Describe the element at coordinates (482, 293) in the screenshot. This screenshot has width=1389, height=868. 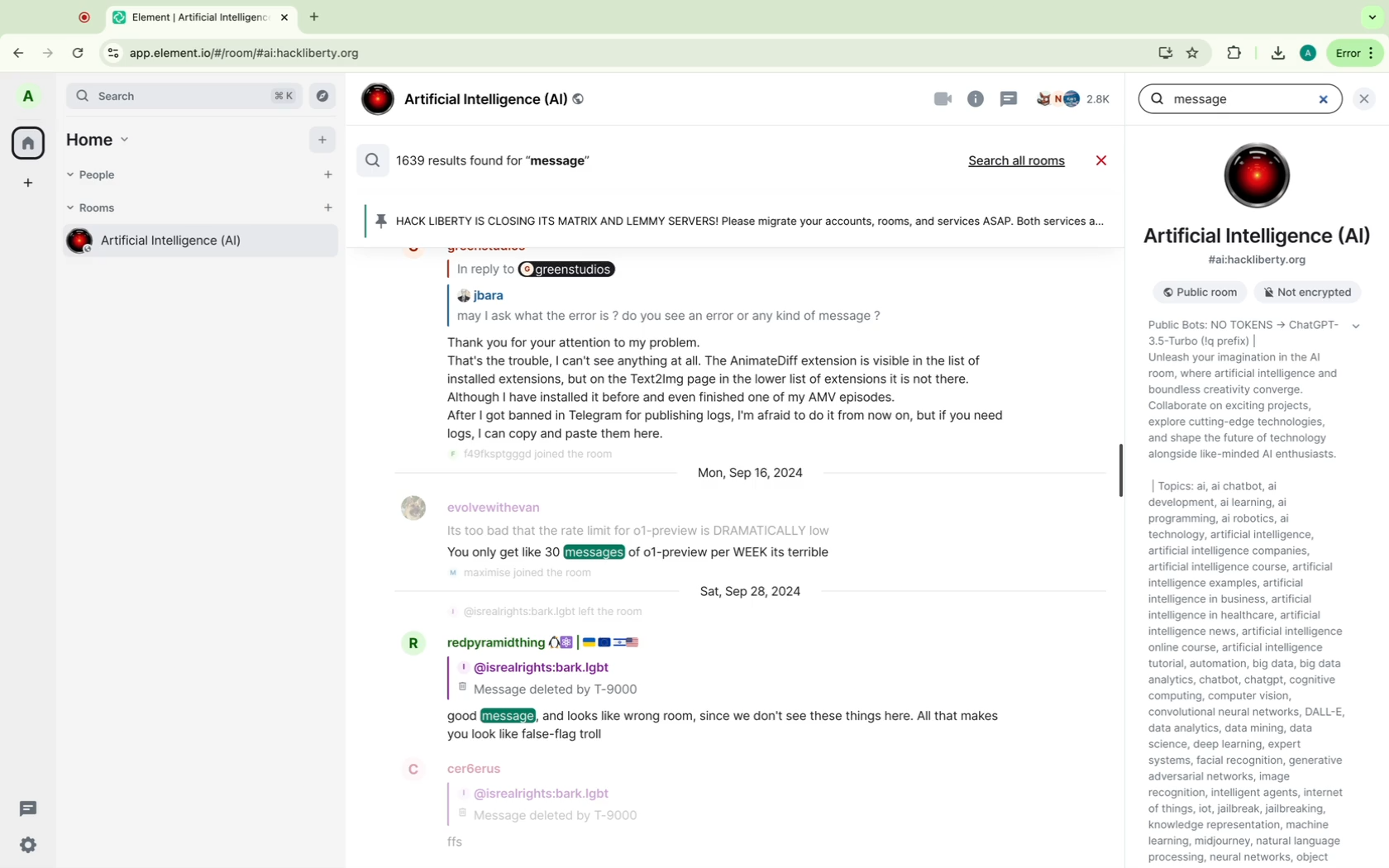
I see `profile name` at that location.